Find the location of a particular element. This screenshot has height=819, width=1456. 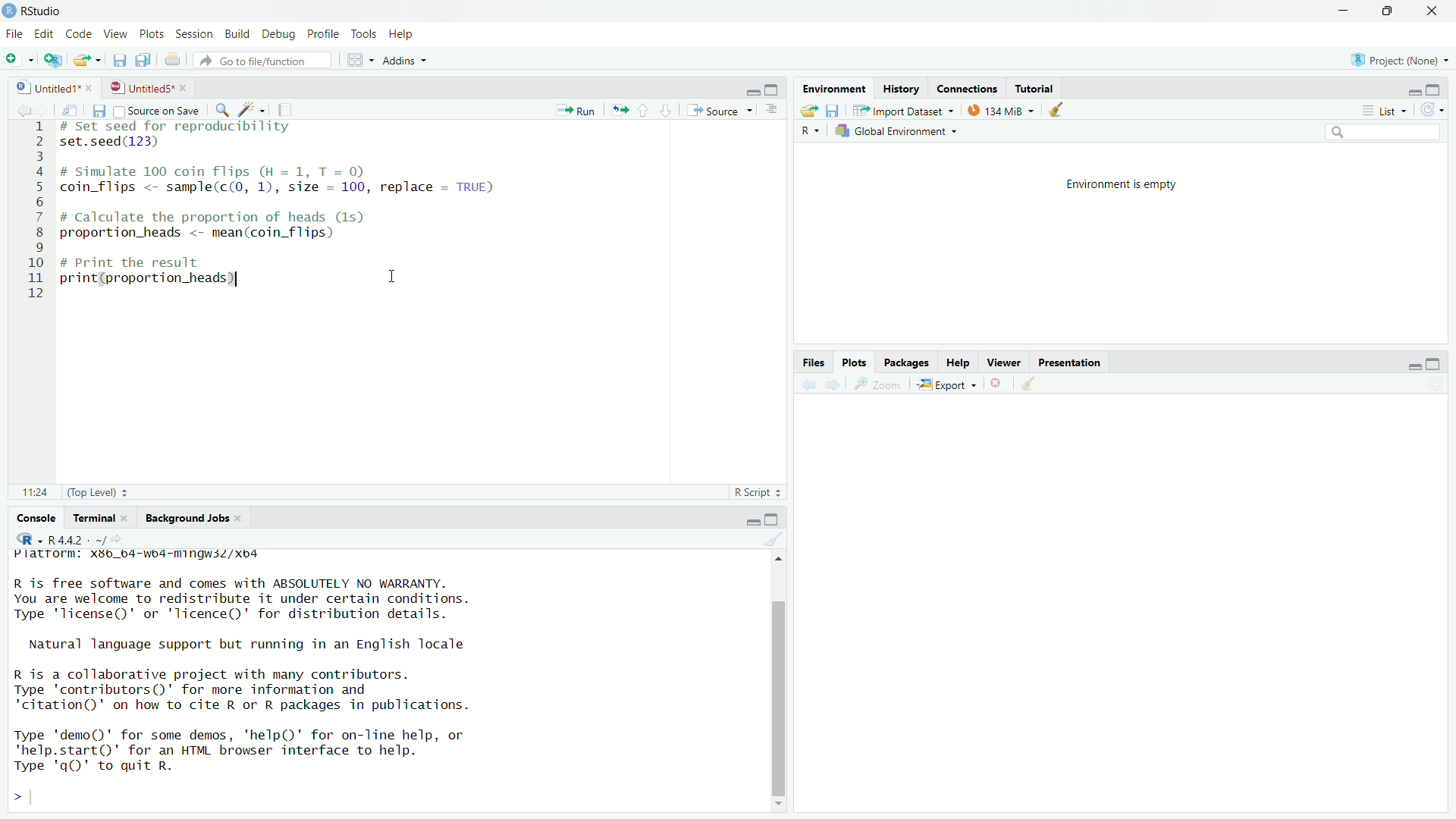

hide document outline is located at coordinates (776, 110).